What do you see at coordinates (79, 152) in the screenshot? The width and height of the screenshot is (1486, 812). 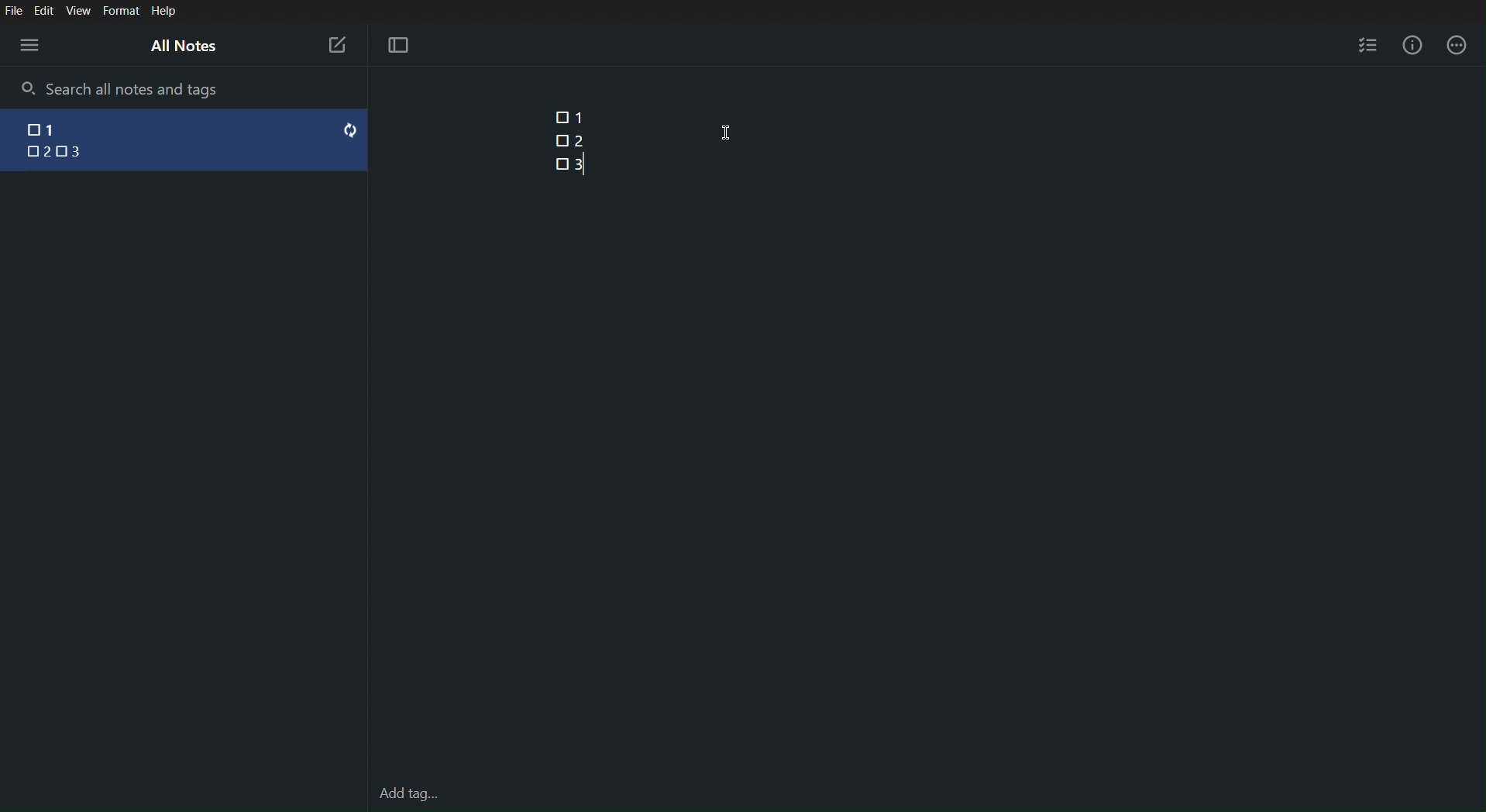 I see `3` at bounding box center [79, 152].